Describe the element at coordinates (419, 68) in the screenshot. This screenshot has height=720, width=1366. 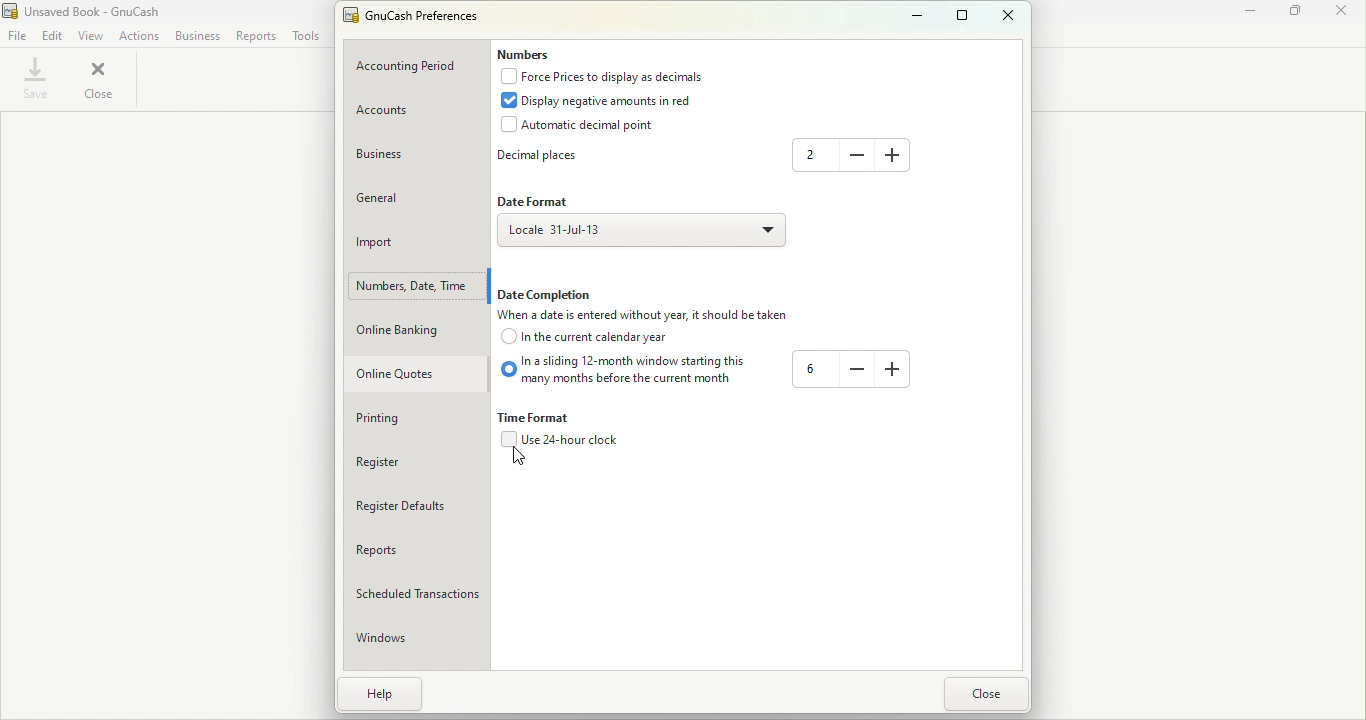
I see `Accounting period` at that location.